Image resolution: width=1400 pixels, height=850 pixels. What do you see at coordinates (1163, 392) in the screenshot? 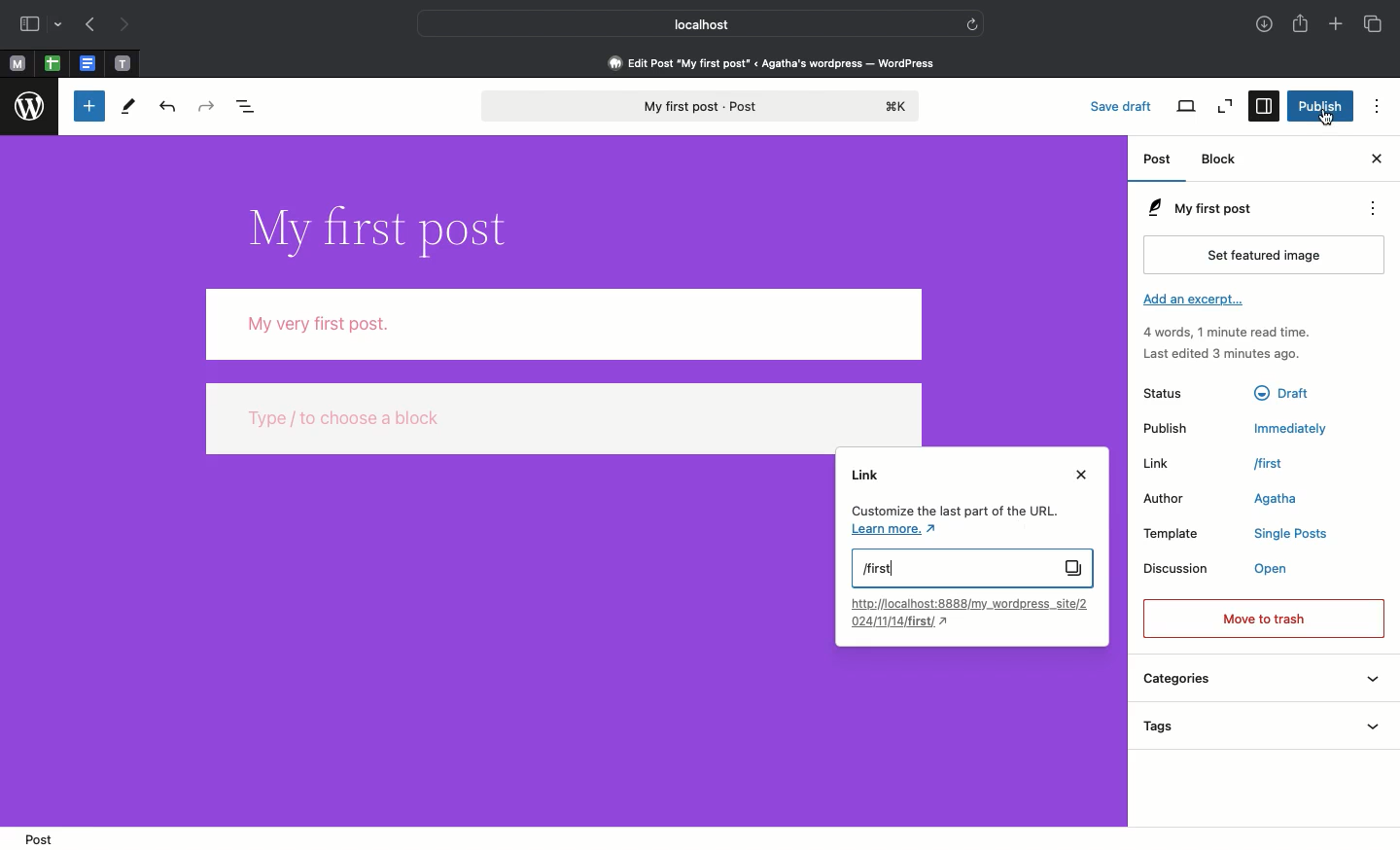
I see `Status` at bounding box center [1163, 392].